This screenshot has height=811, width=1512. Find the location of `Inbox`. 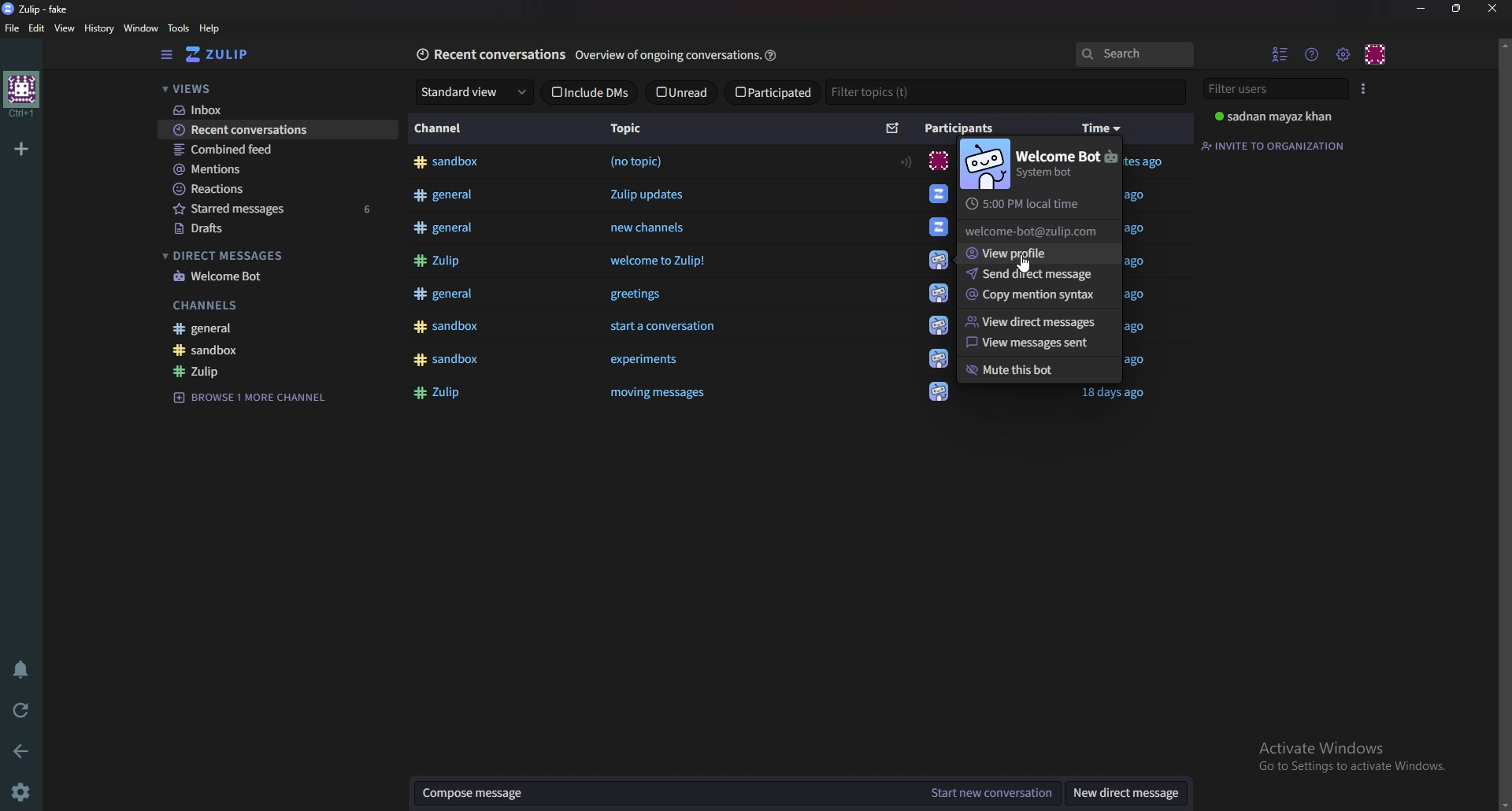

Inbox is located at coordinates (270, 109).